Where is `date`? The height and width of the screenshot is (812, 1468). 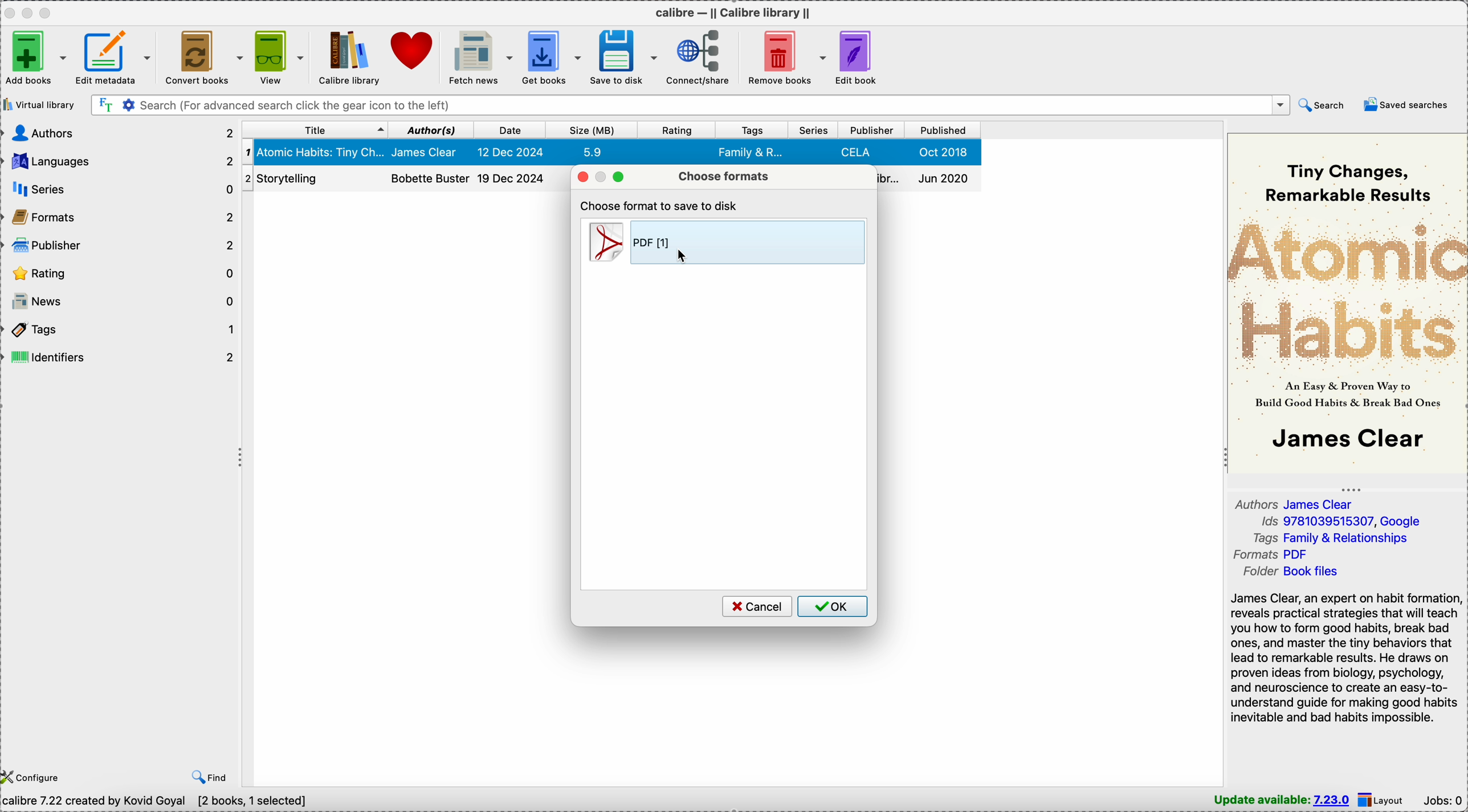
date is located at coordinates (511, 130).